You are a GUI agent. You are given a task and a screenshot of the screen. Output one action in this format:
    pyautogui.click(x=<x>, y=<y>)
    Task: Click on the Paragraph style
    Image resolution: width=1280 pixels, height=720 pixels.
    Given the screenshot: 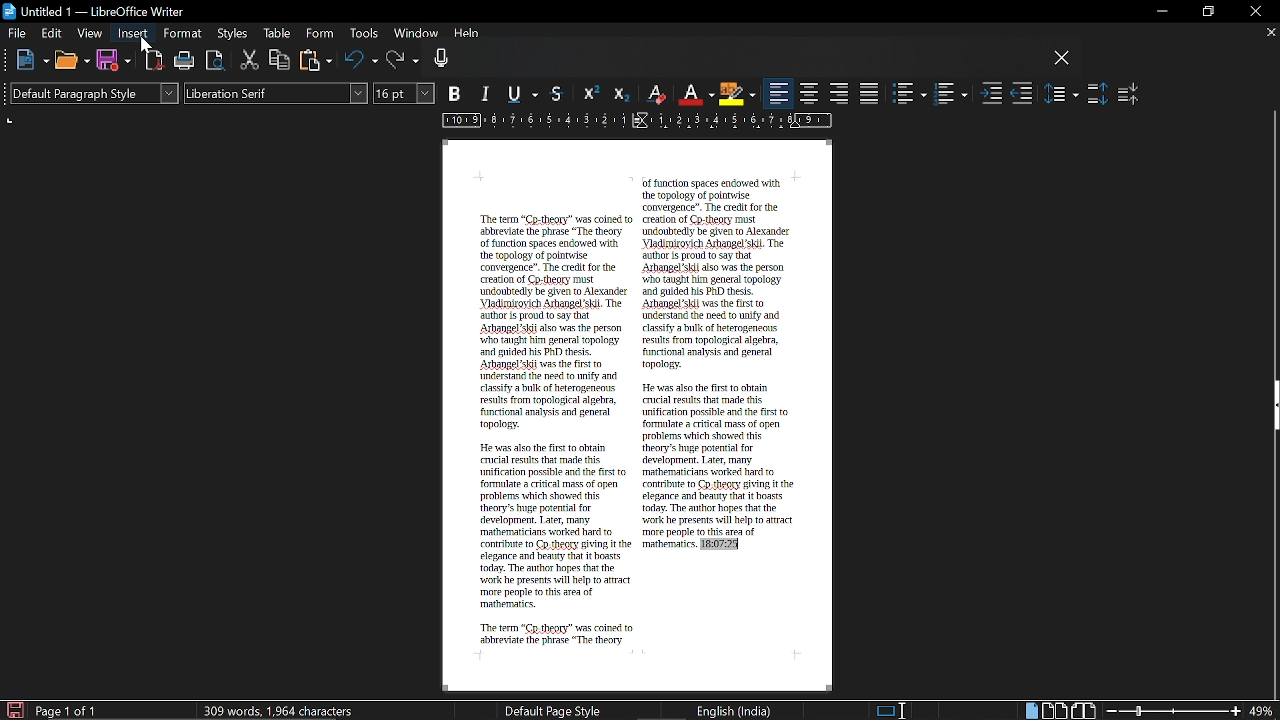 What is the action you would take?
    pyautogui.click(x=91, y=93)
    